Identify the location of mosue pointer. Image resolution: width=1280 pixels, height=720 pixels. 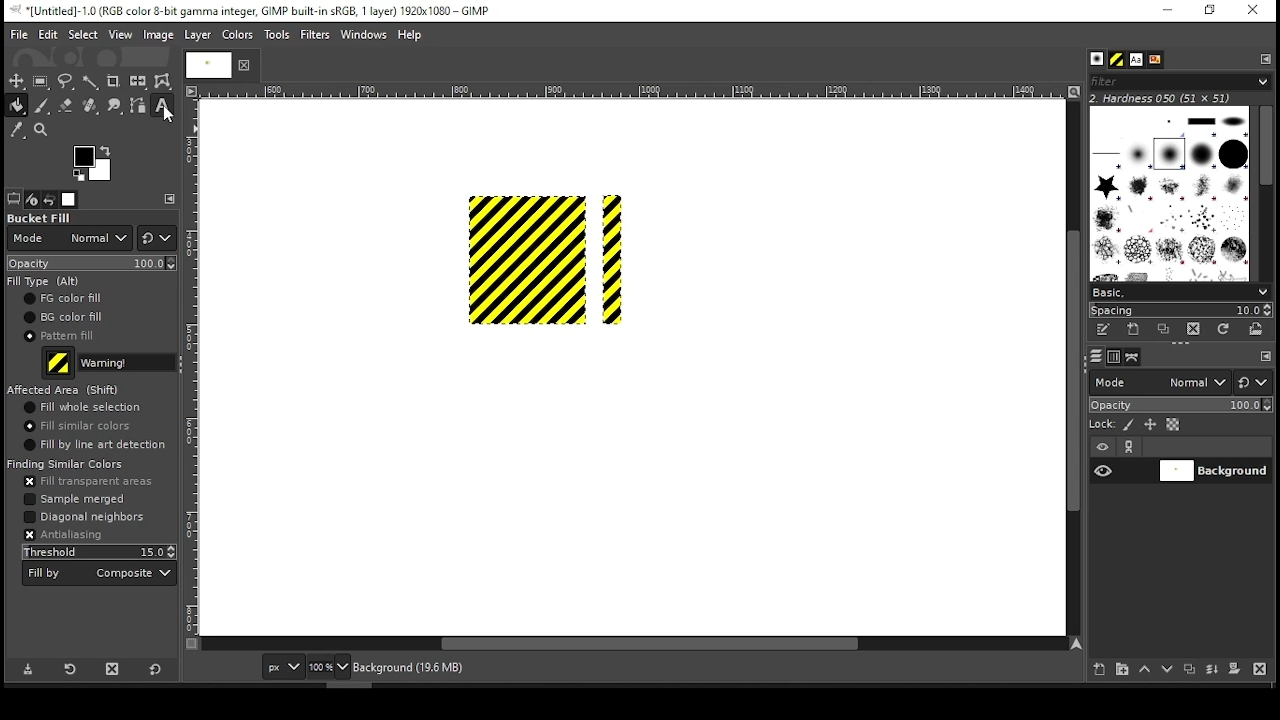
(173, 117).